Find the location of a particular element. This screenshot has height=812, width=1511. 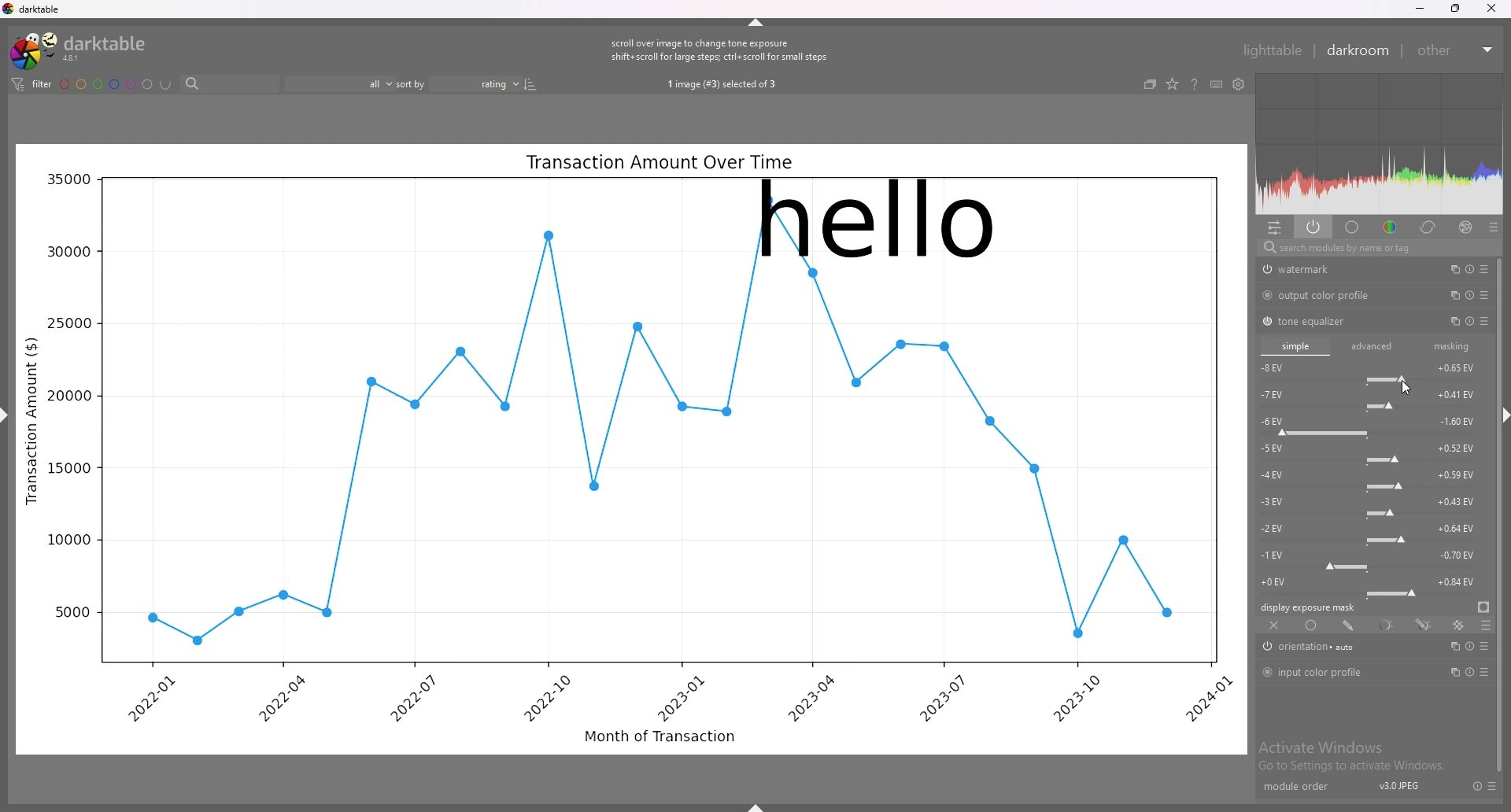

minimize is located at coordinates (1420, 9).